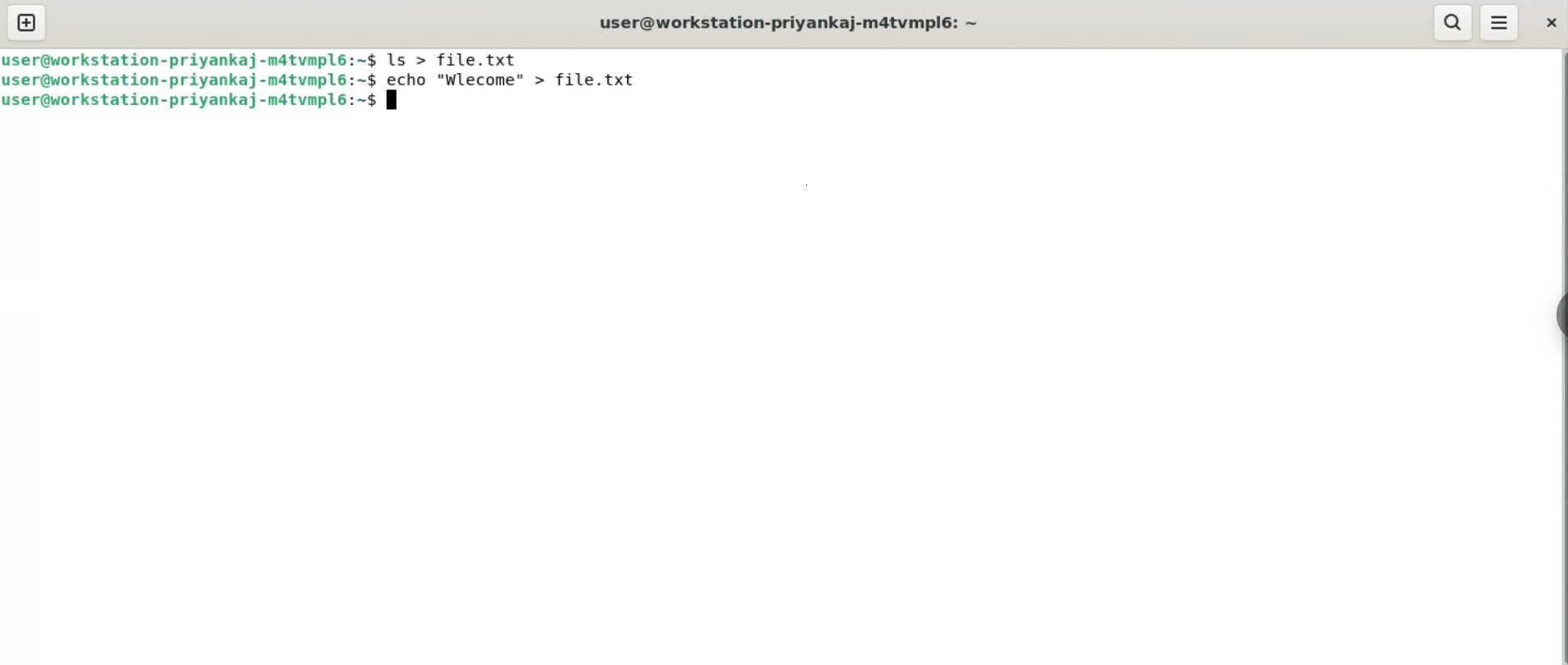  I want to click on user@workstation-priyankaj-m4tvmpl6: ~$, so click(190, 81).